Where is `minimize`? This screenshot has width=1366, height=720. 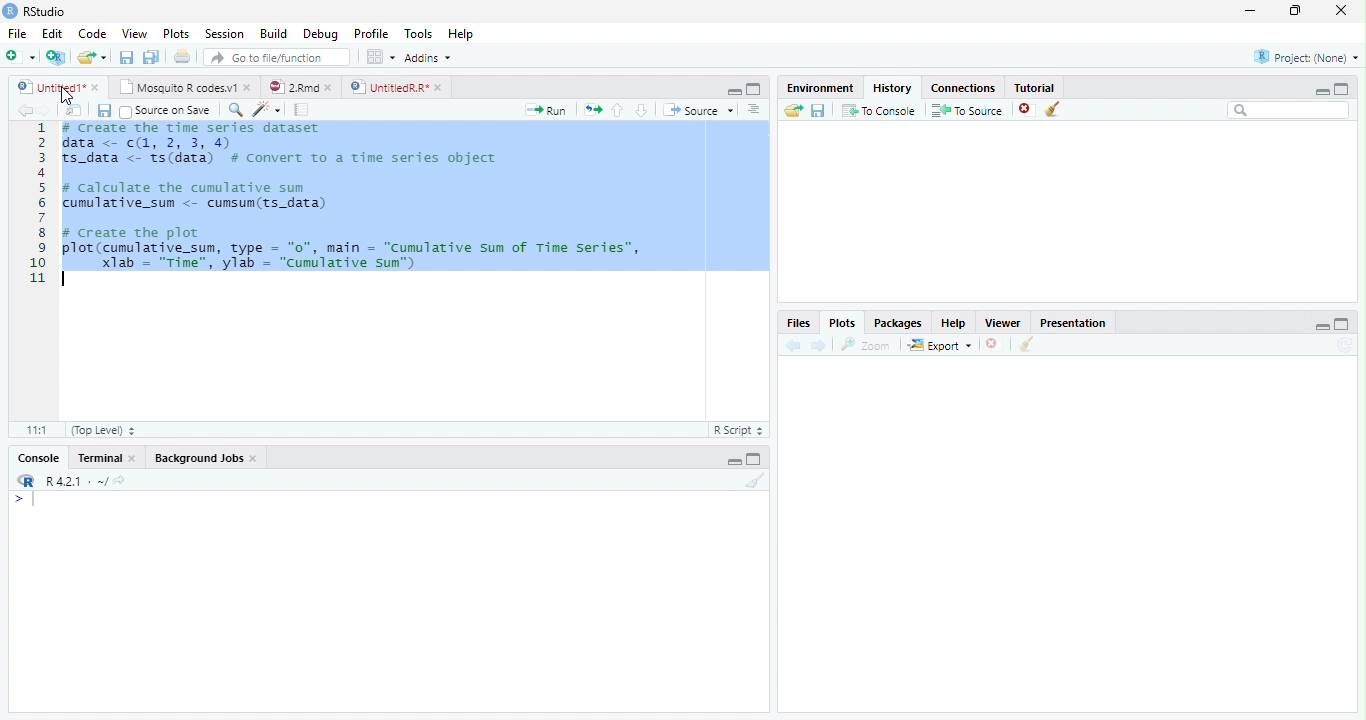
minimize is located at coordinates (1249, 12).